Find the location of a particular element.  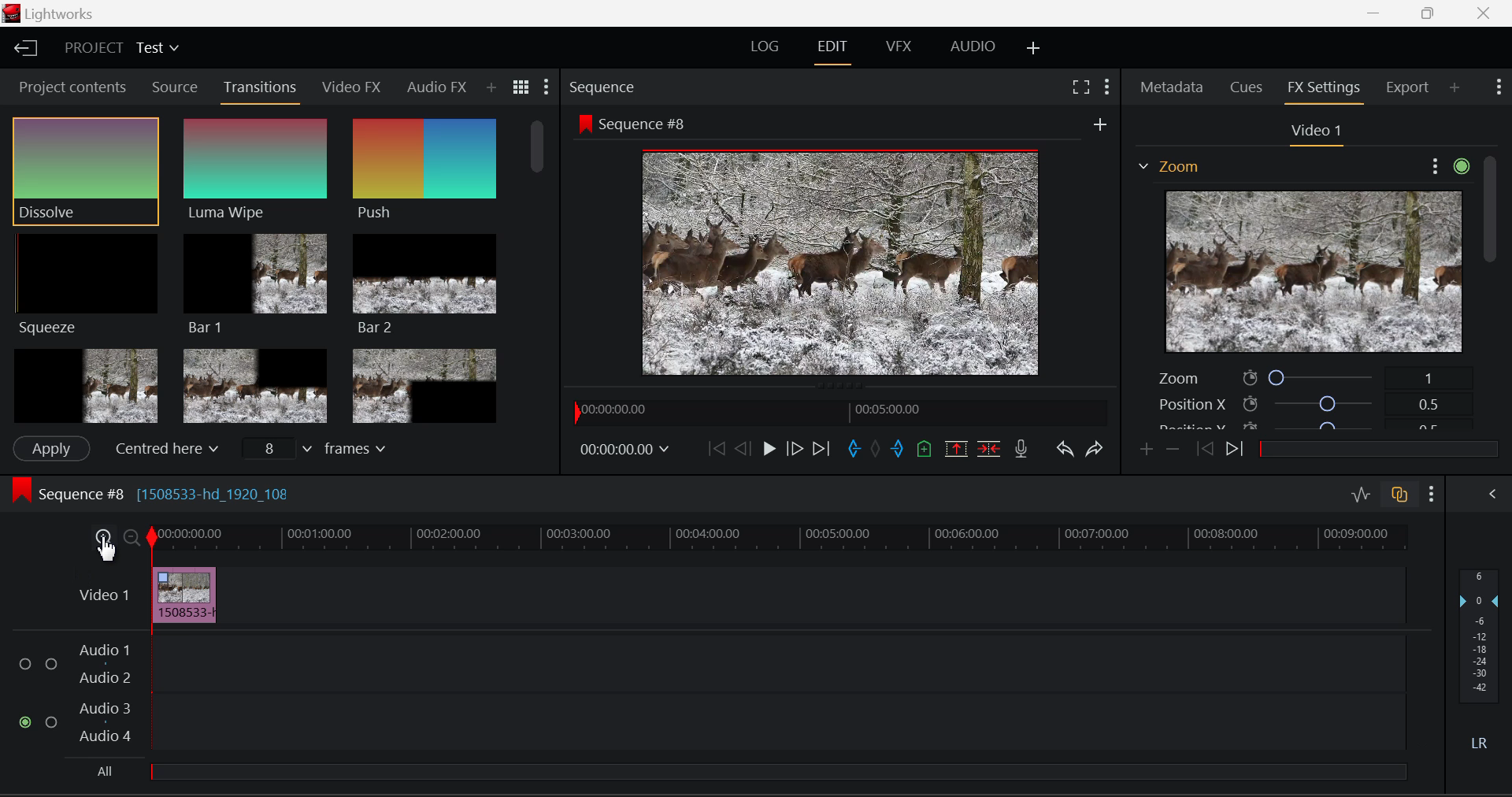

Zoom is located at coordinates (1296, 373).